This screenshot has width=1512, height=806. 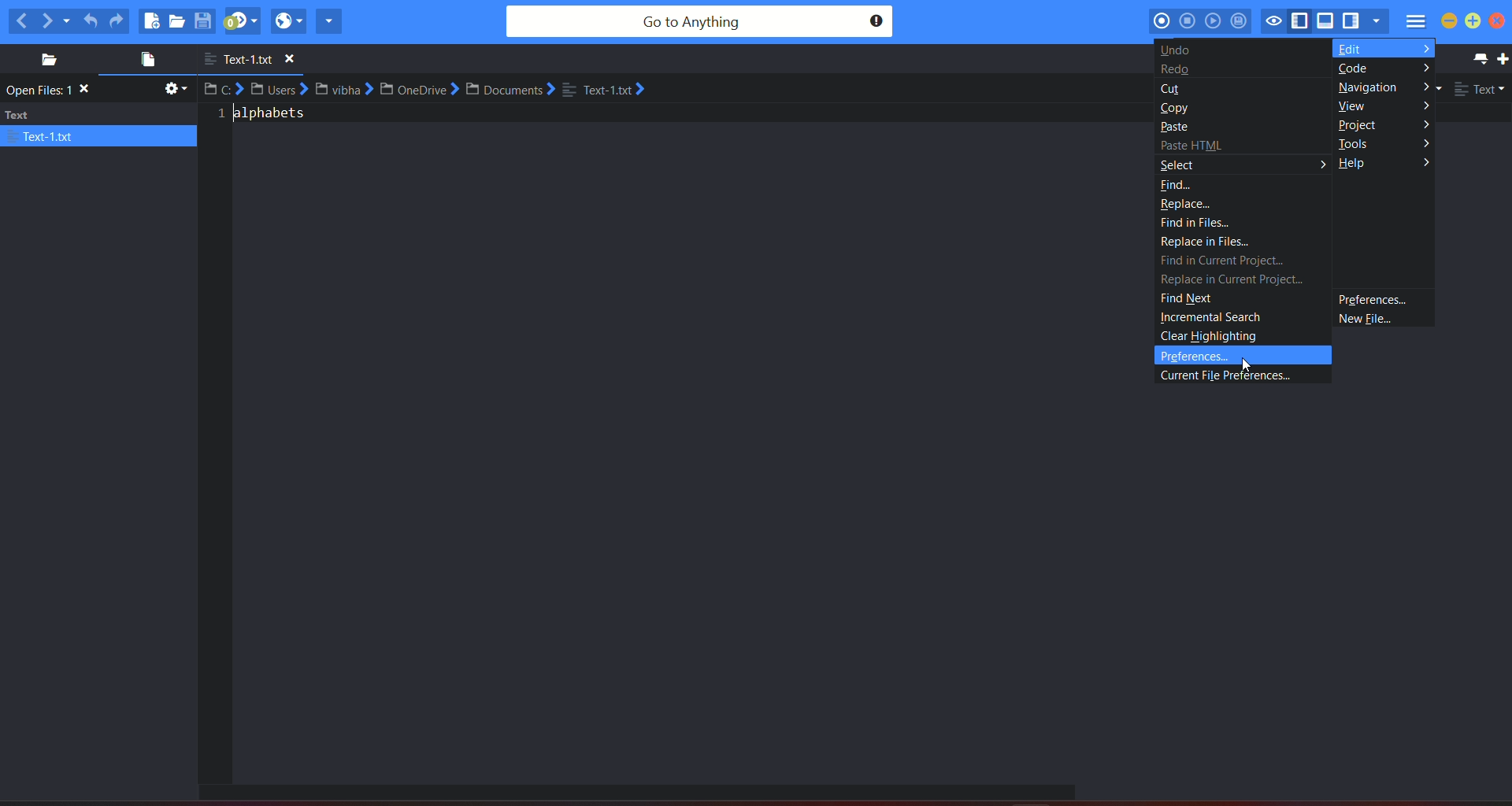 I want to click on text, so click(x=52, y=91).